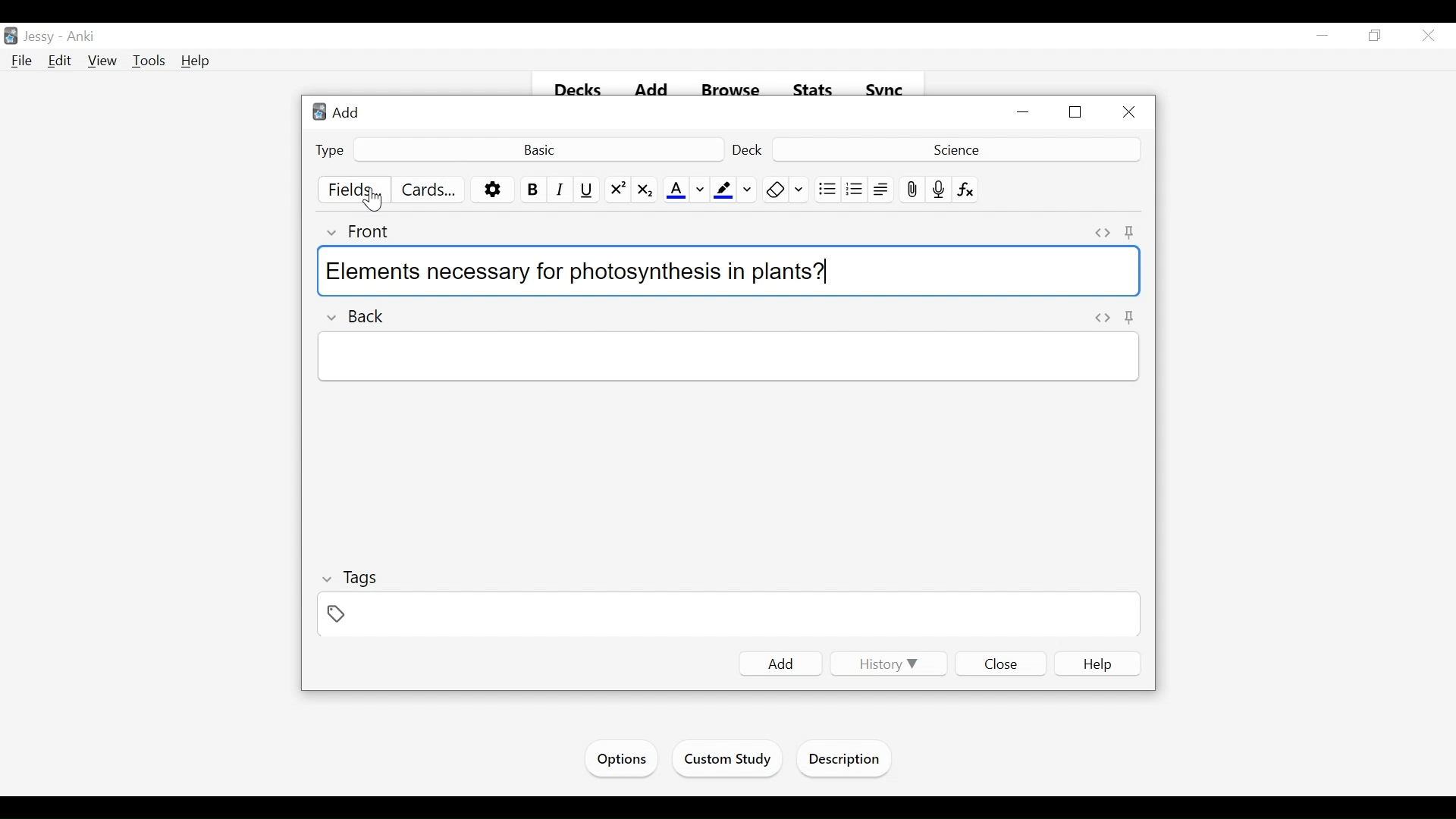 The width and height of the screenshot is (1456, 819). I want to click on Record Audio, so click(939, 190).